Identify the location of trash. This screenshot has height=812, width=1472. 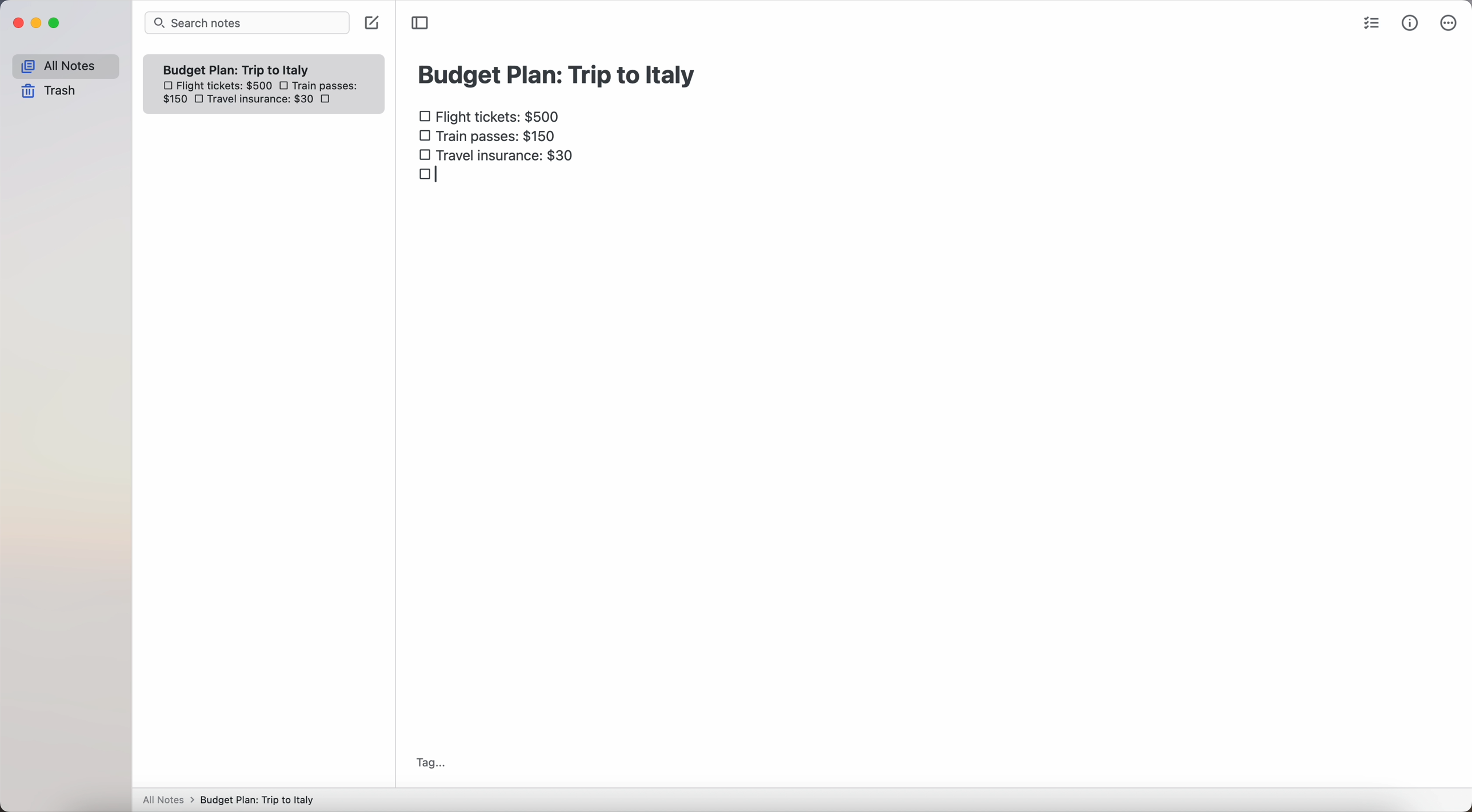
(49, 91).